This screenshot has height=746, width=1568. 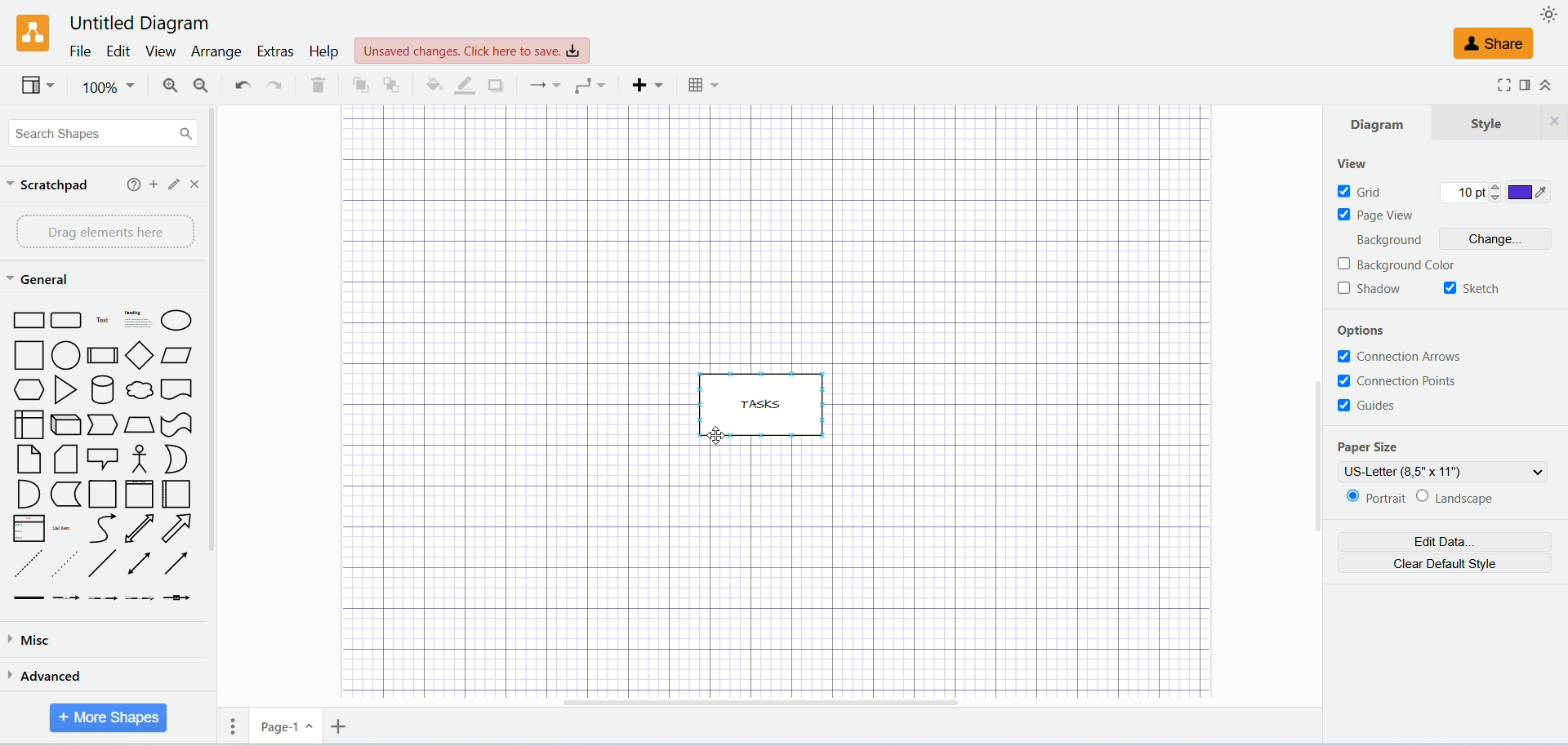 What do you see at coordinates (1526, 86) in the screenshot?
I see `format` at bounding box center [1526, 86].